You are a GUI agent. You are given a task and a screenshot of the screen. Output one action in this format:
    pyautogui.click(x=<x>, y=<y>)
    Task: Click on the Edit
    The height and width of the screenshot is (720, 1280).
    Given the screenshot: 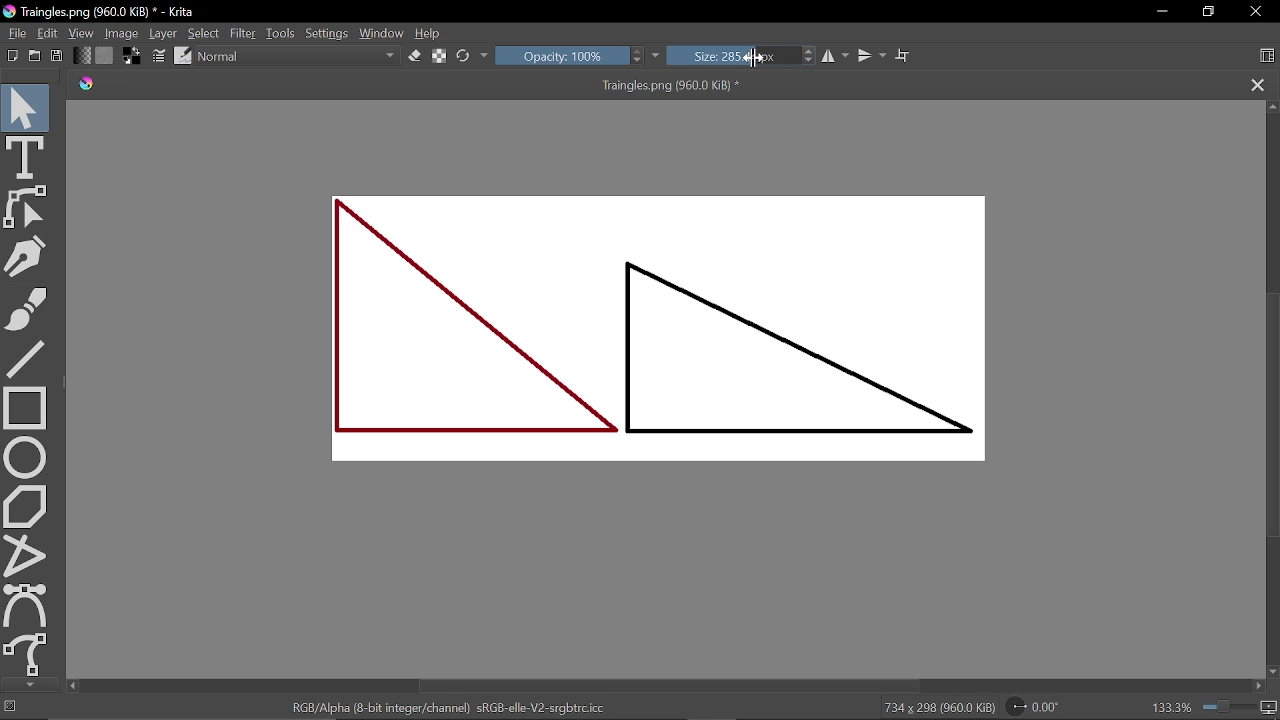 What is the action you would take?
    pyautogui.click(x=47, y=33)
    